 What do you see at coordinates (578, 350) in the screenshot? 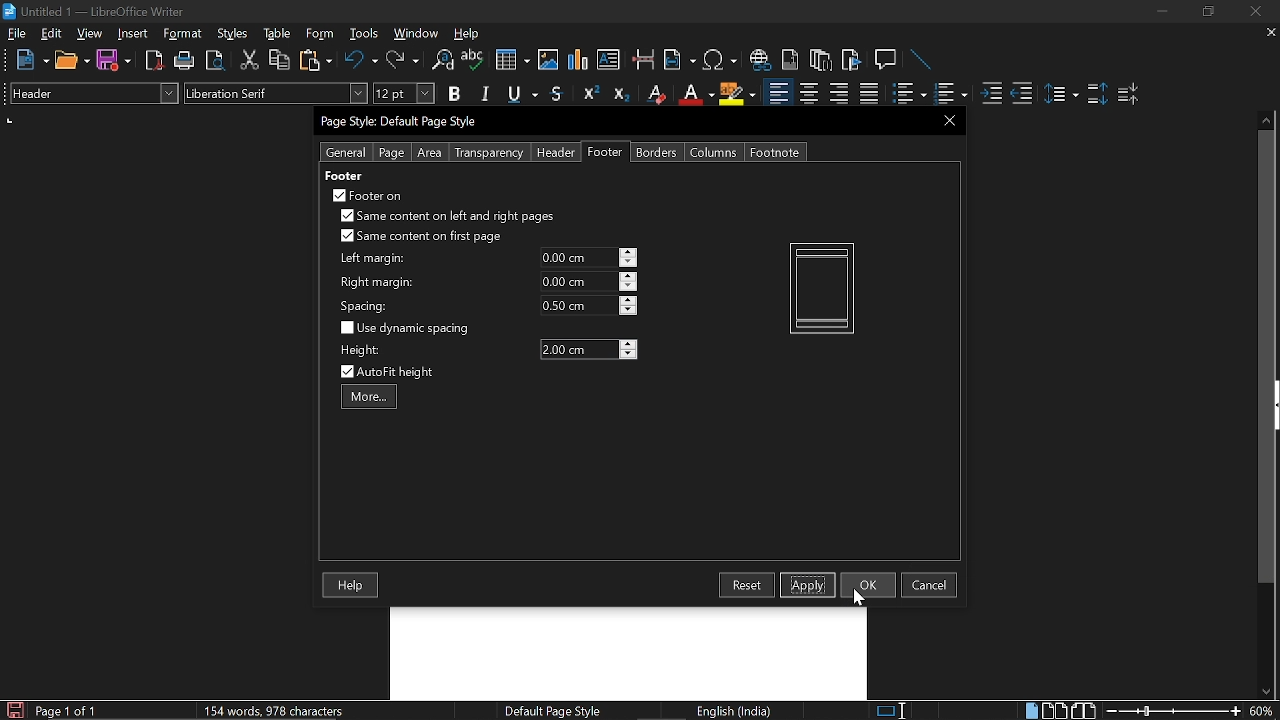
I see `Height` at bounding box center [578, 350].